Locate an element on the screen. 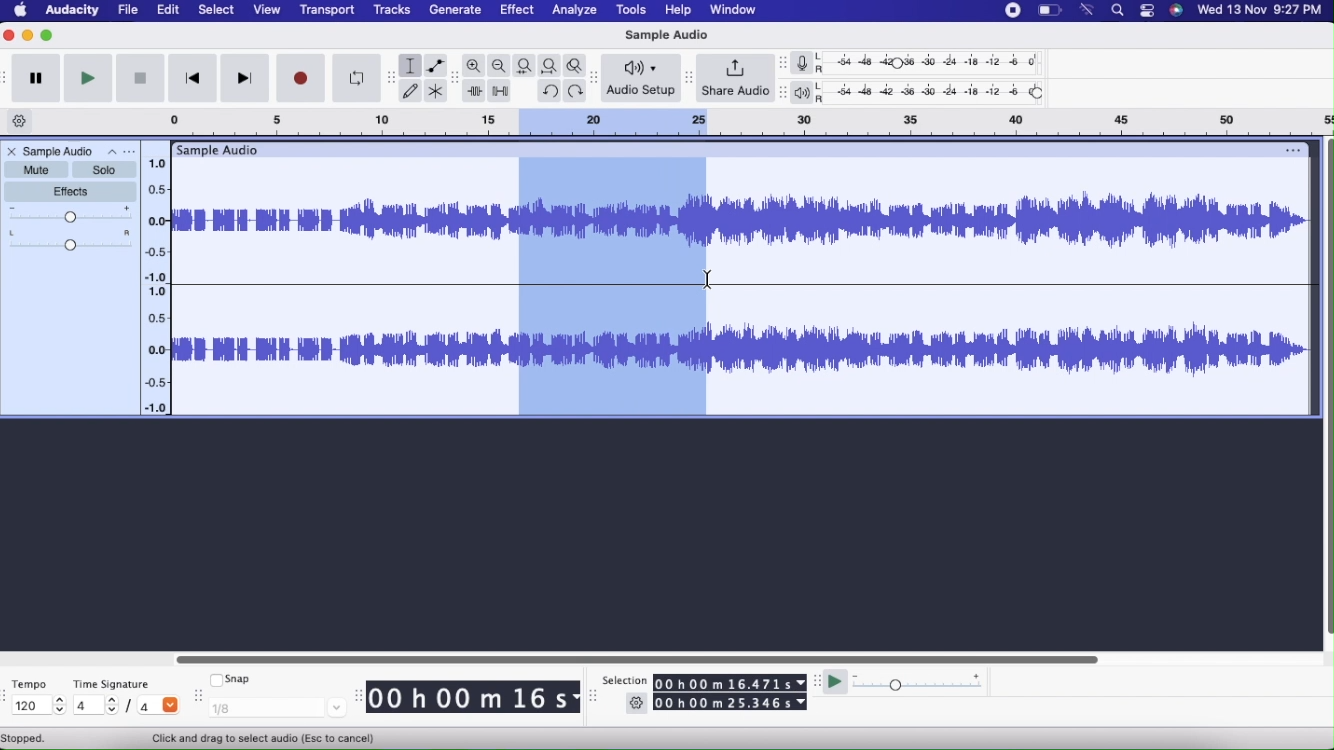  00 h 00 m 16 s is located at coordinates (474, 699).